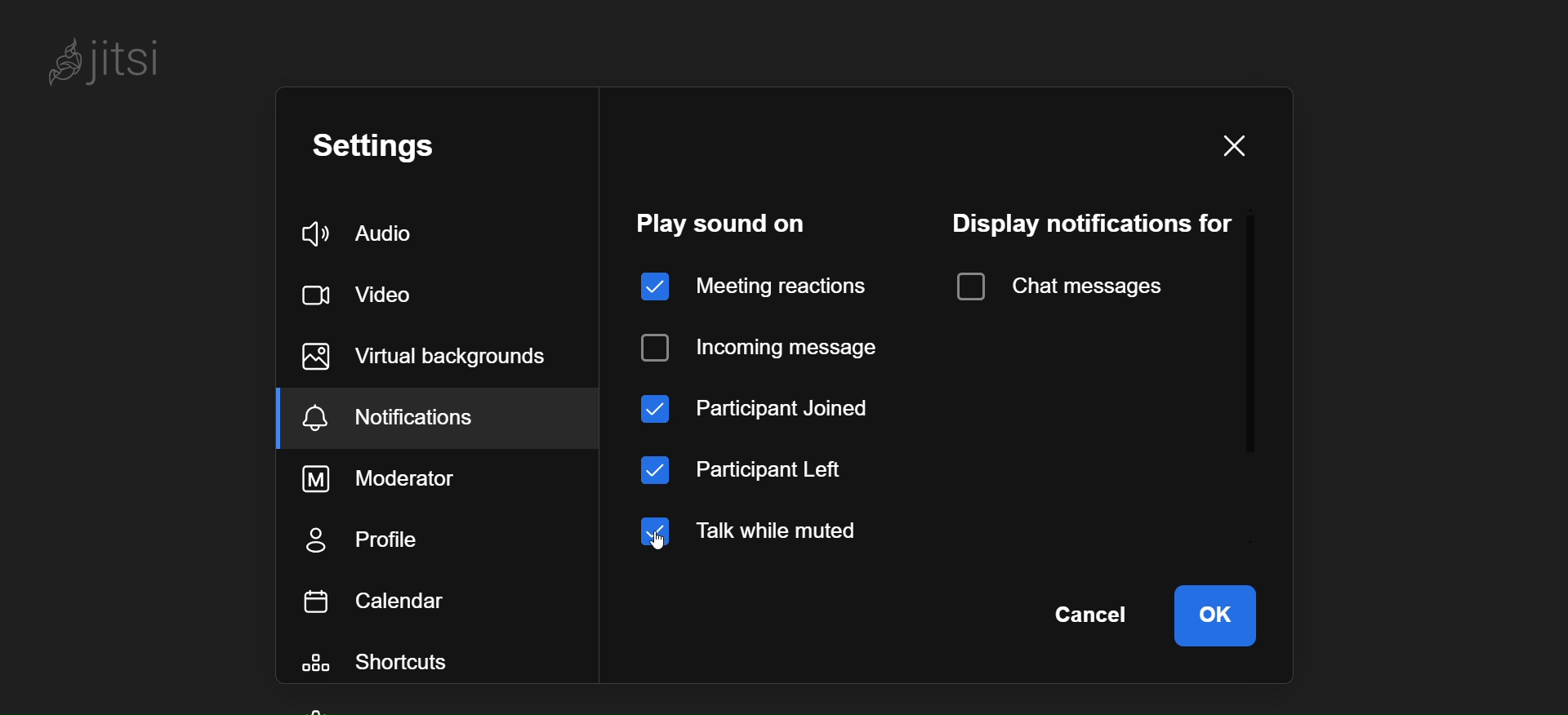 The image size is (1568, 715). Describe the element at coordinates (675, 547) in the screenshot. I see `cursor` at that location.